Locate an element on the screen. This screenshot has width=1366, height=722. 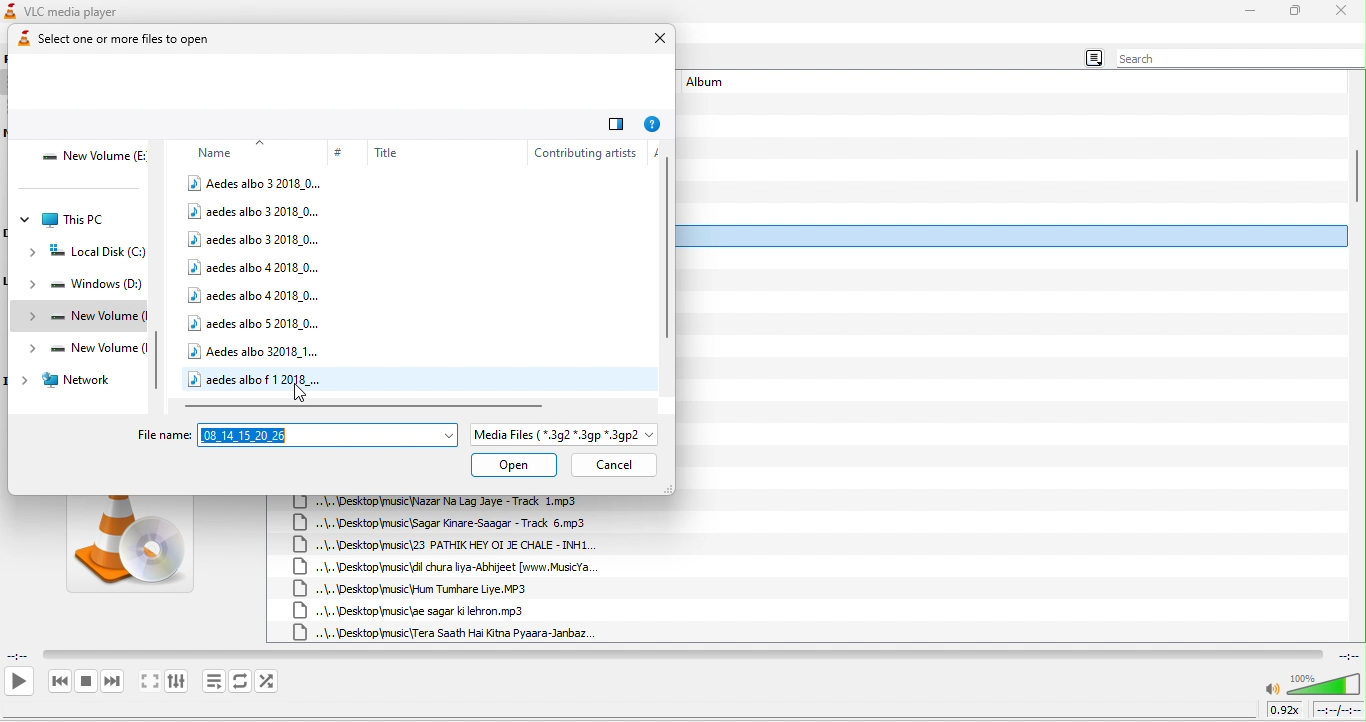
random is located at coordinates (269, 681).